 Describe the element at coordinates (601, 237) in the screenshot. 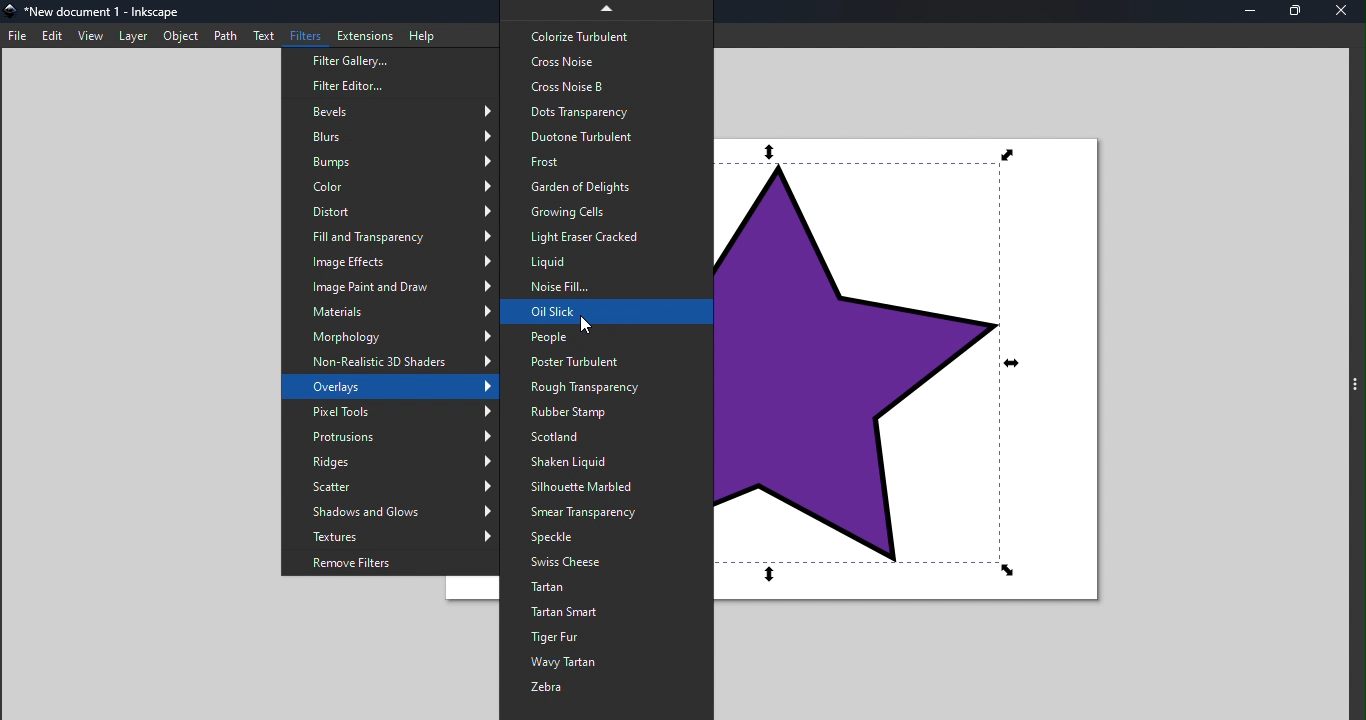

I see `Light eraser cracked` at that location.